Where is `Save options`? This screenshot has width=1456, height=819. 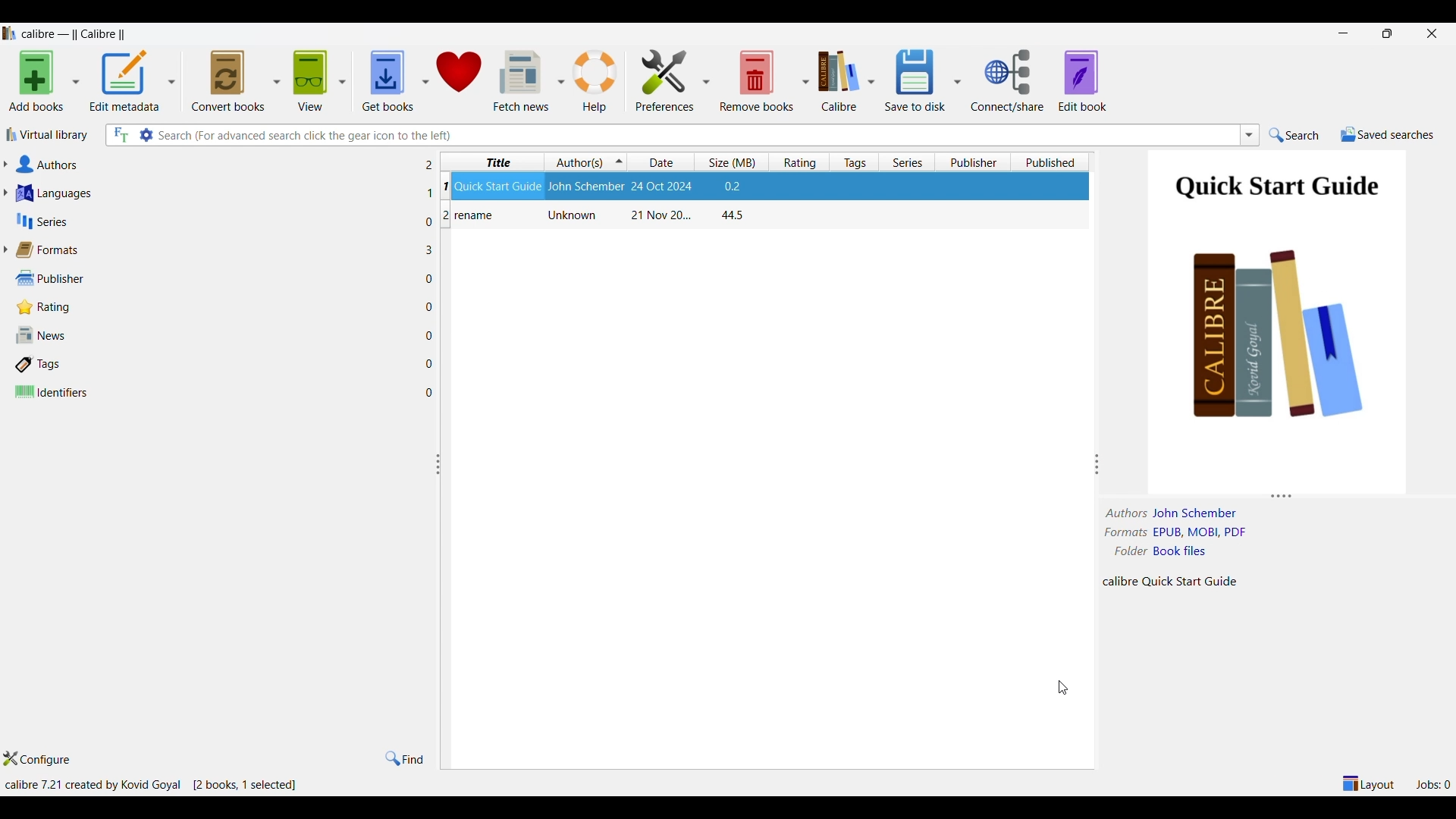 Save options is located at coordinates (956, 81).